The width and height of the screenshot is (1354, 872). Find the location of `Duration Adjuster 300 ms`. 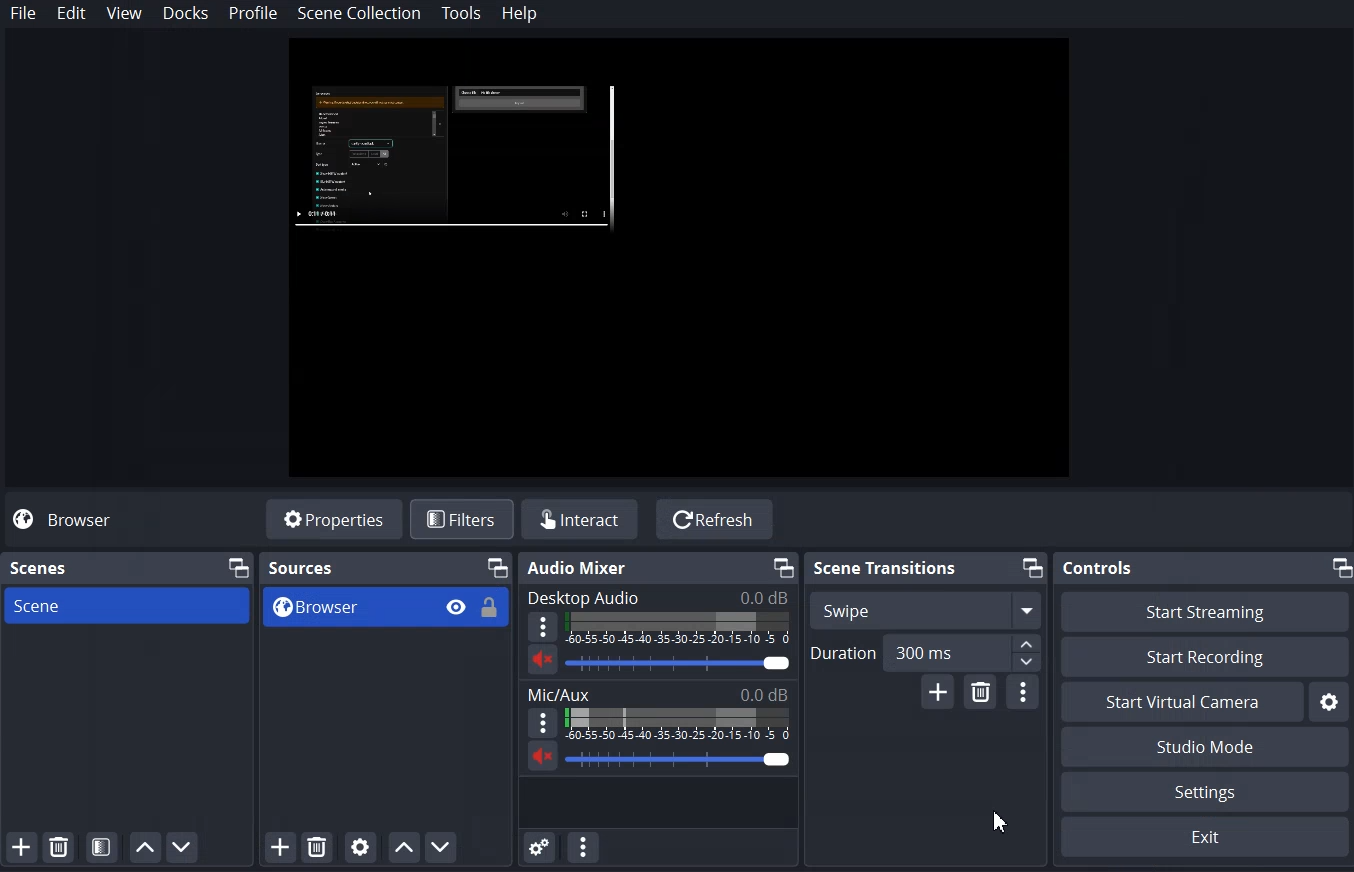

Duration Adjuster 300 ms is located at coordinates (924, 652).